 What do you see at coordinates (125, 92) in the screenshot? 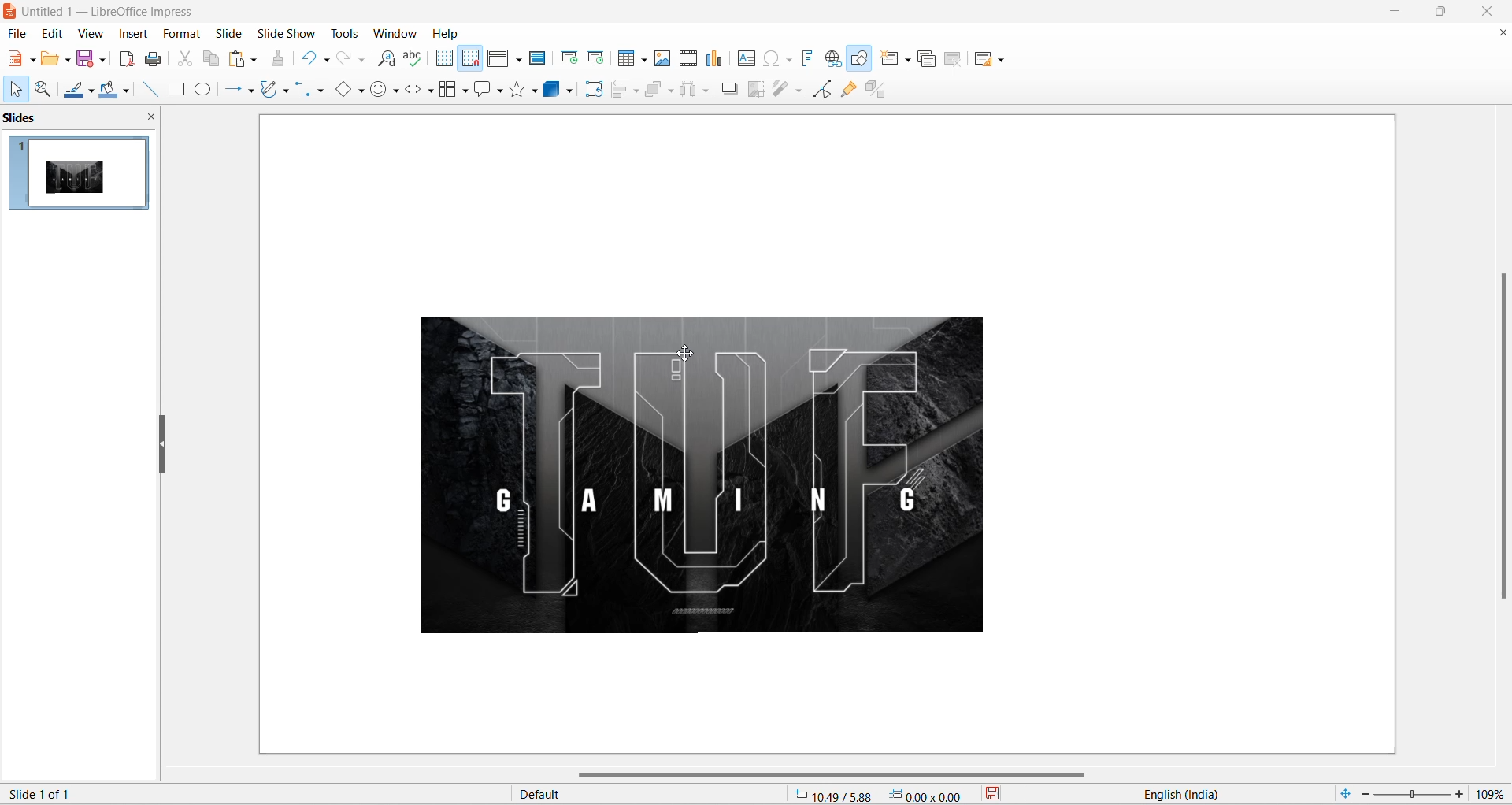
I see `fill color options` at bounding box center [125, 92].